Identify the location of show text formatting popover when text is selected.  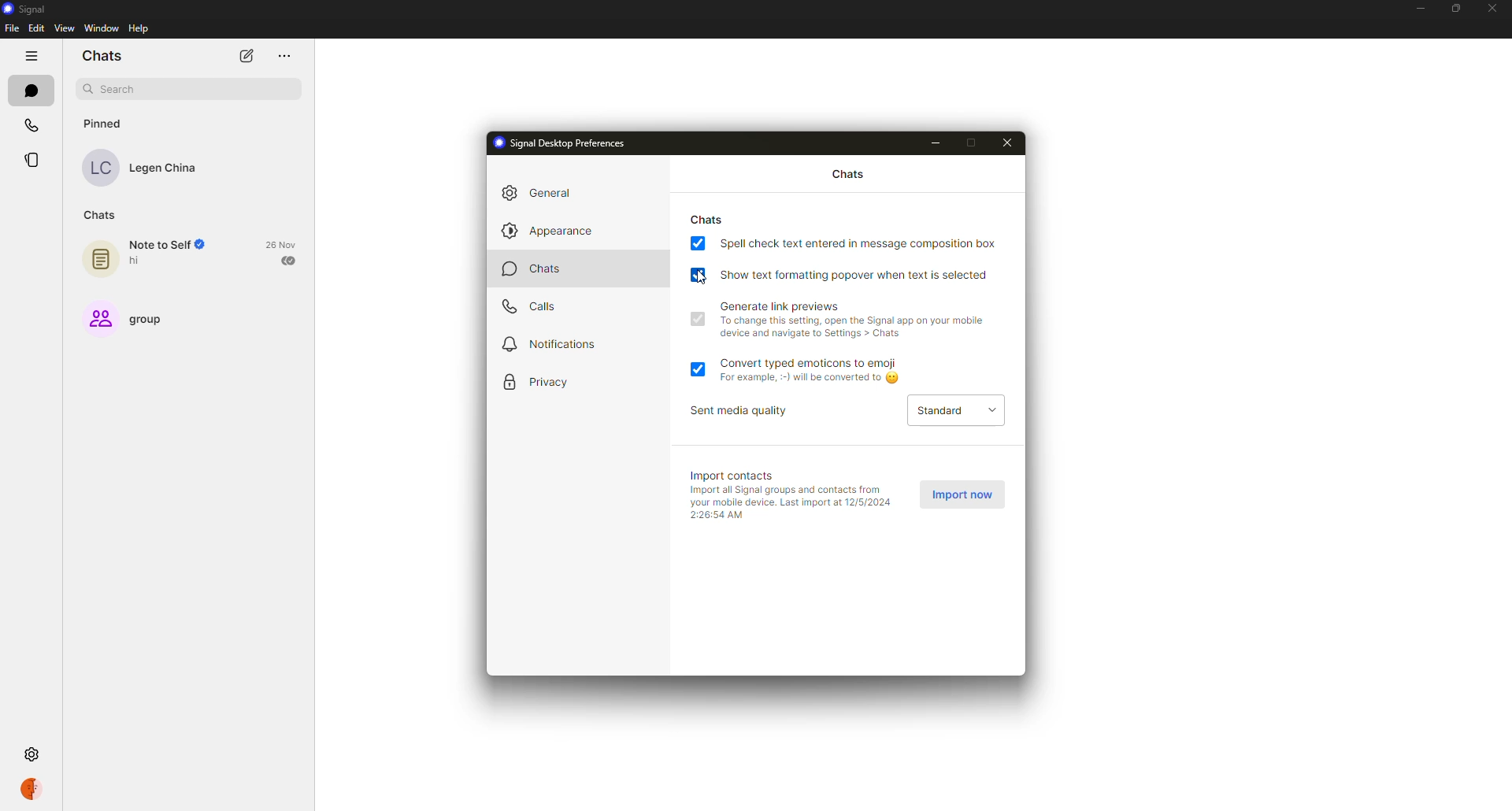
(855, 273).